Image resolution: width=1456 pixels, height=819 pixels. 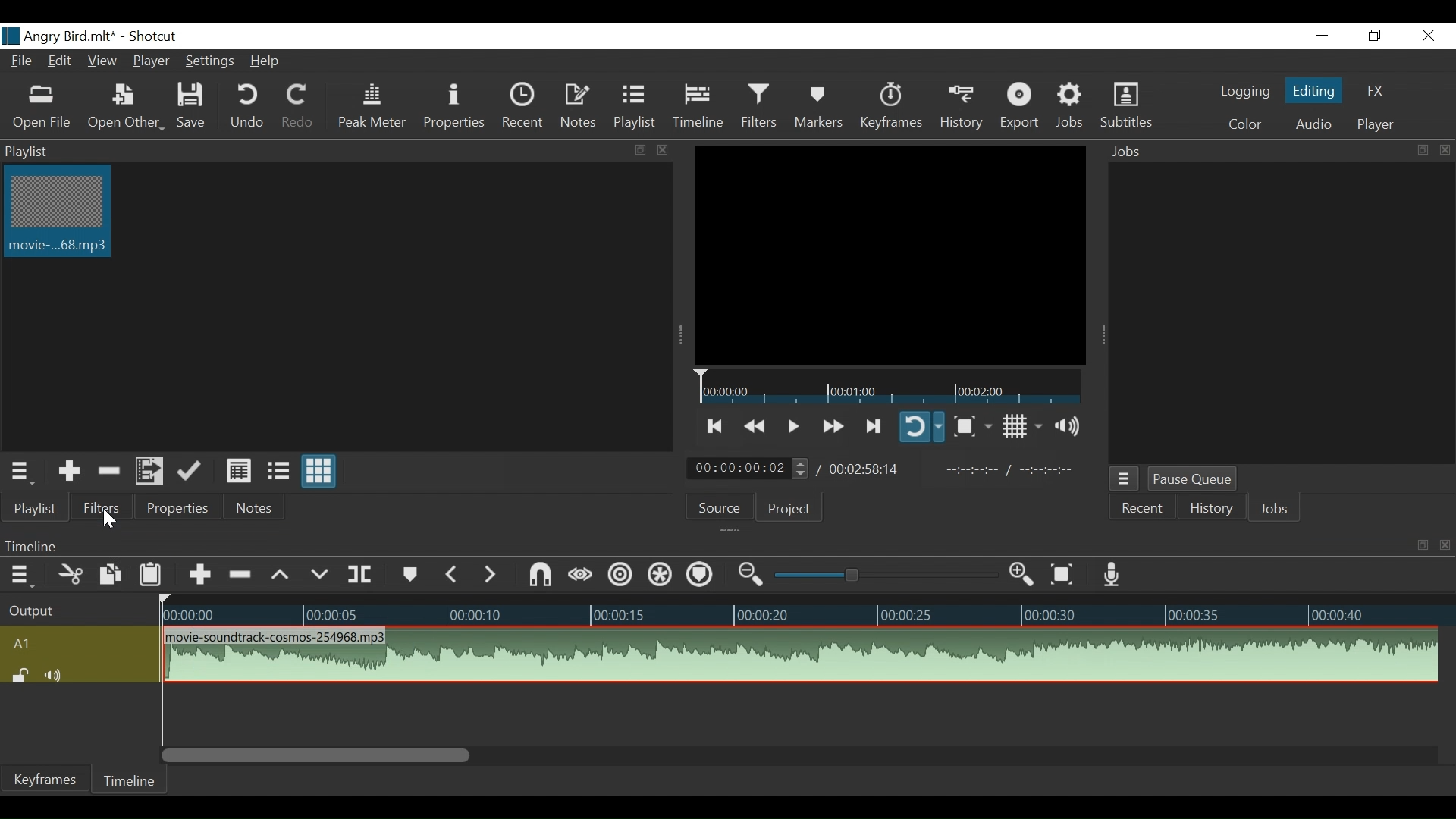 What do you see at coordinates (236, 472) in the screenshot?
I see `View as Details` at bounding box center [236, 472].